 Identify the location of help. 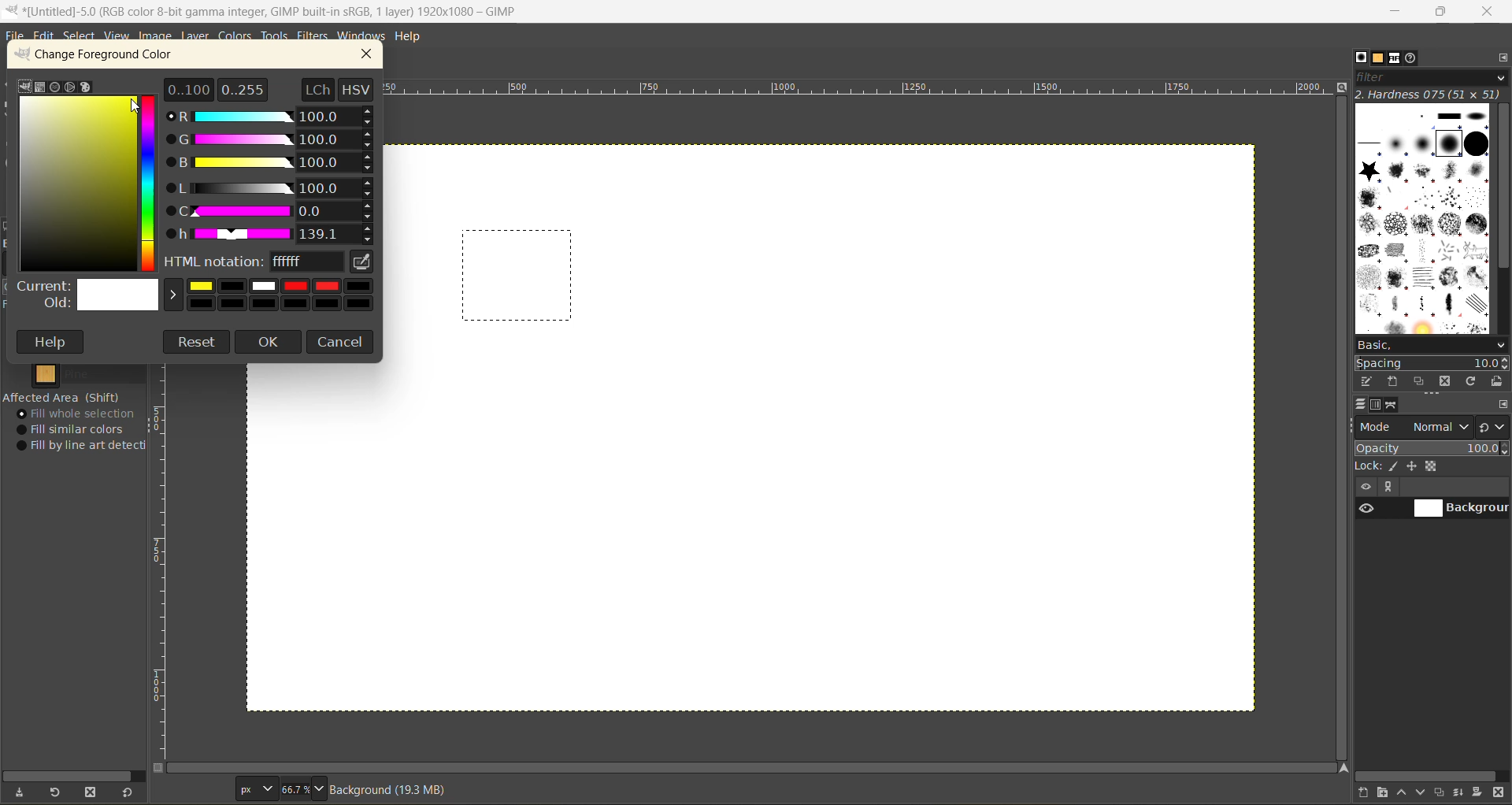
(53, 342).